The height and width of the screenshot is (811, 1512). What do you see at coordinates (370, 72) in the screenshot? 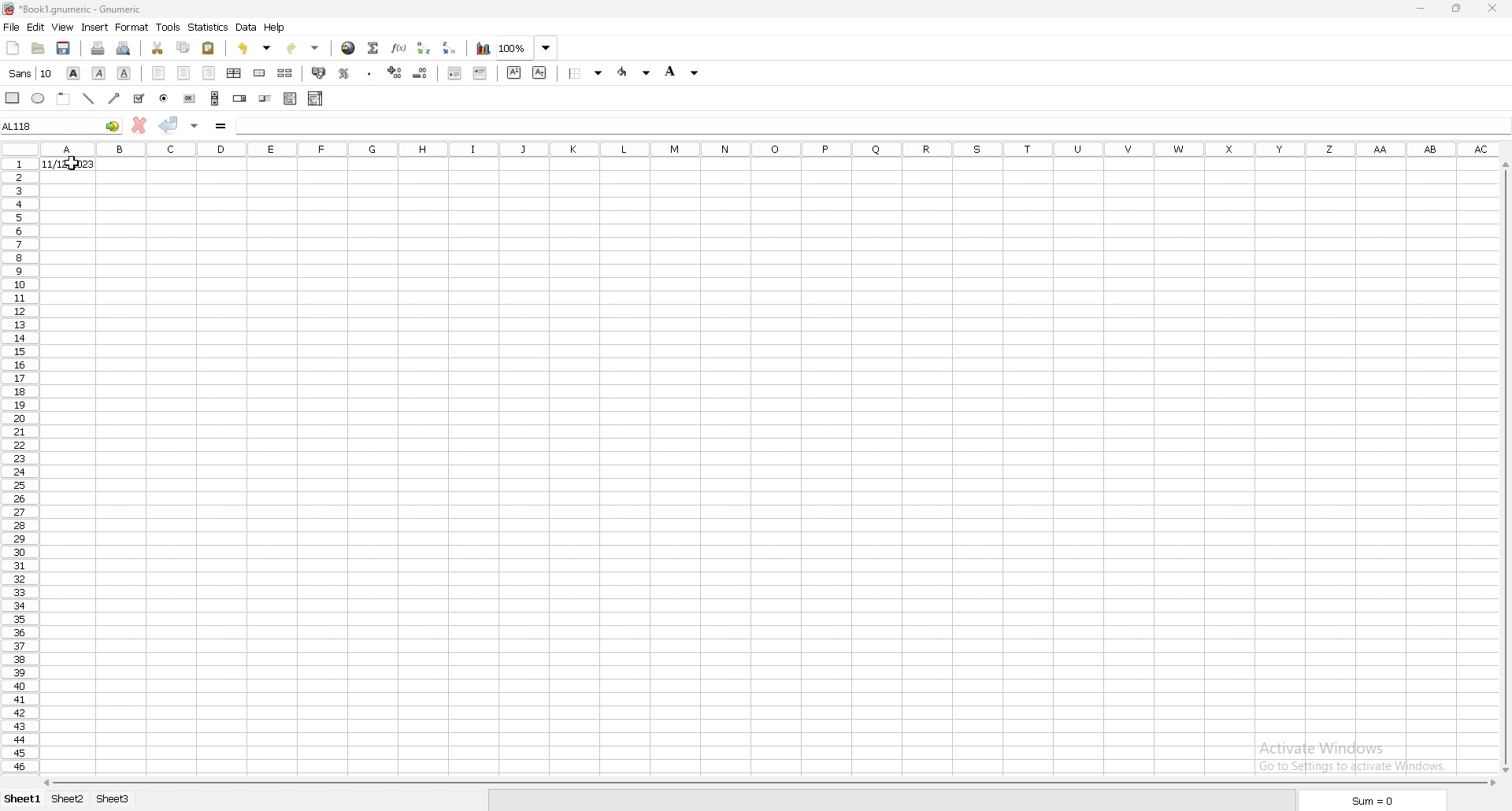
I see `thousands separator` at bounding box center [370, 72].